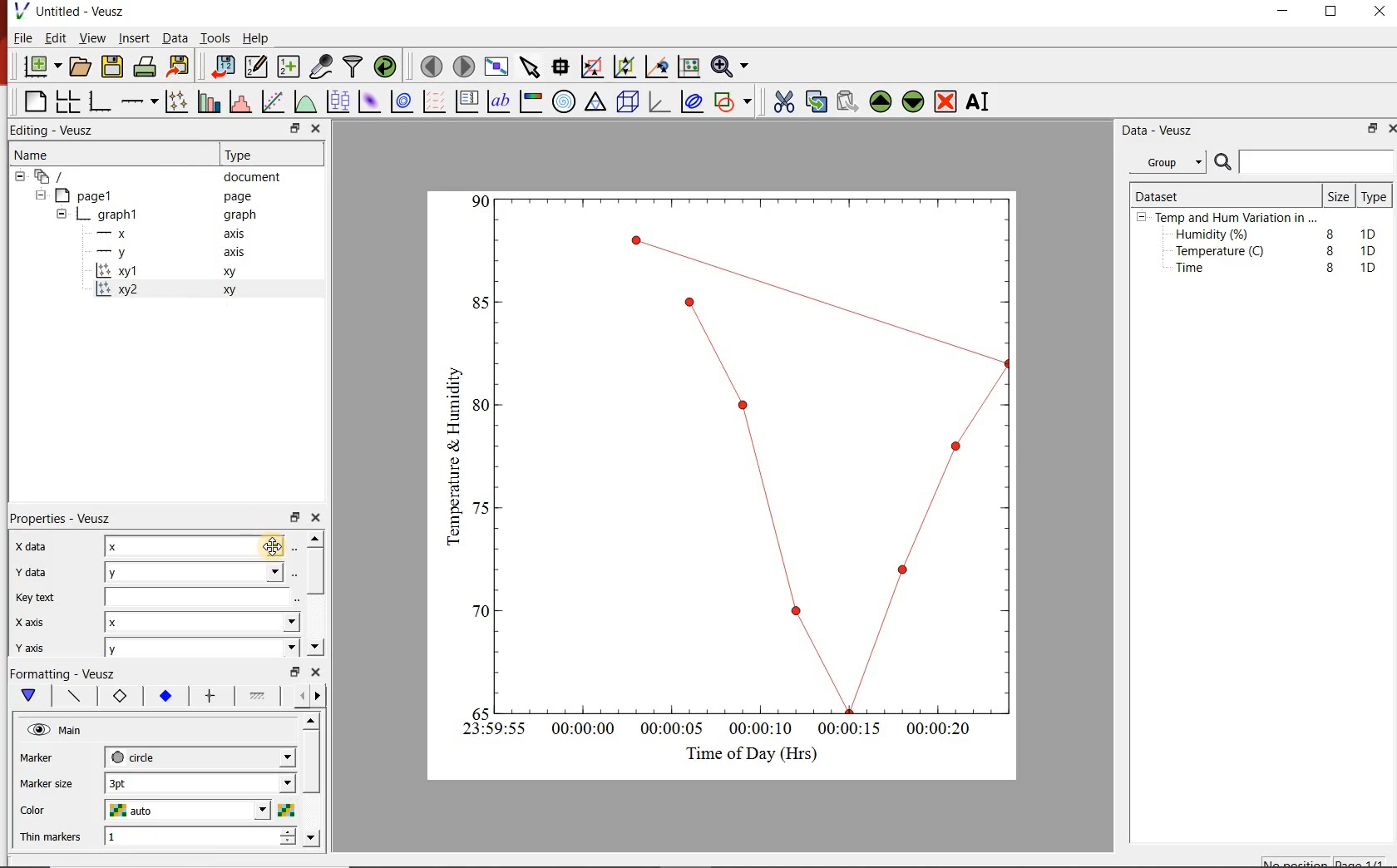 This screenshot has height=868, width=1397. Describe the element at coordinates (233, 290) in the screenshot. I see `xy` at that location.